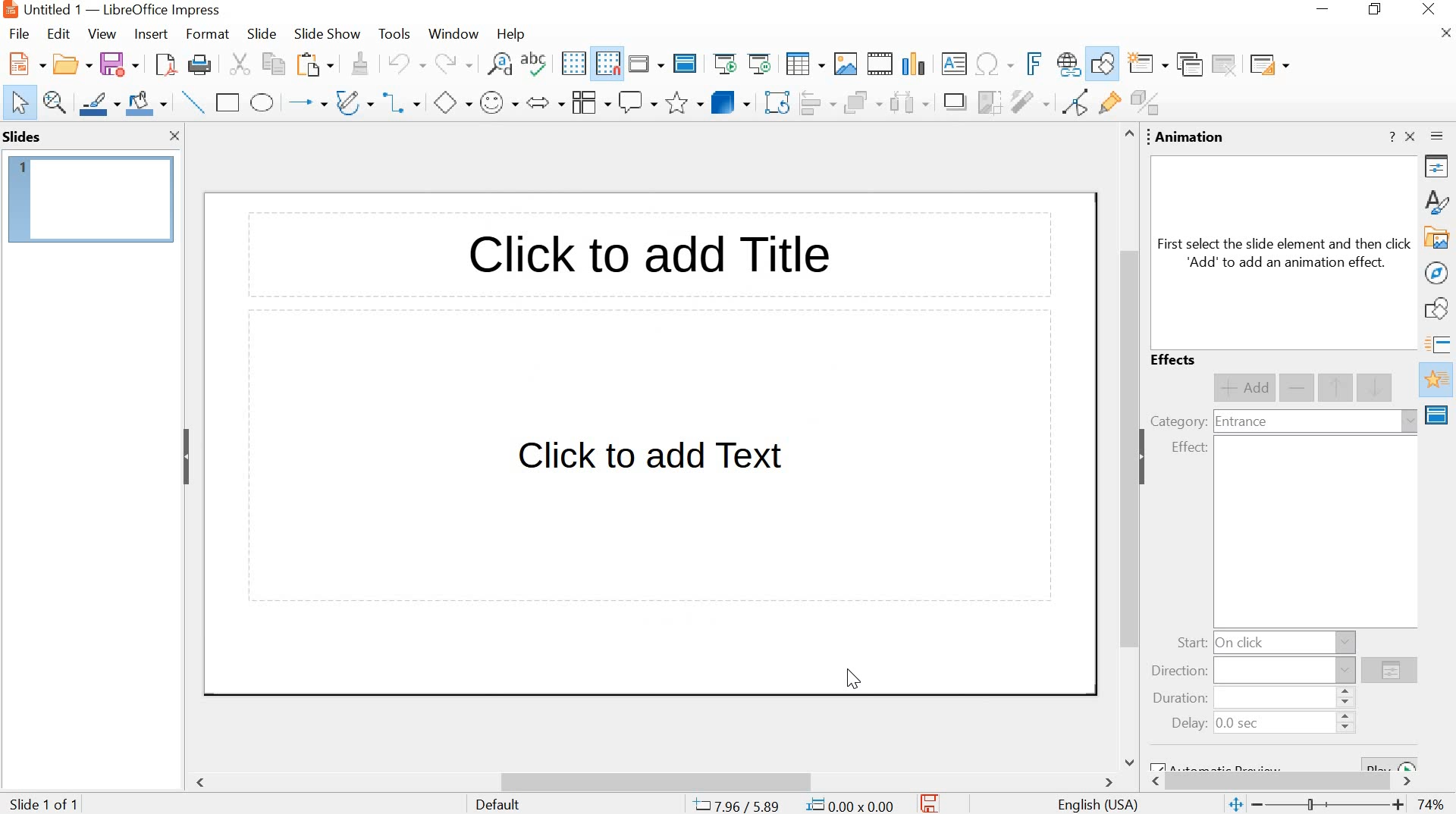 The image size is (1456, 814). Describe the element at coordinates (47, 802) in the screenshot. I see `slide 1 of 1` at that location.